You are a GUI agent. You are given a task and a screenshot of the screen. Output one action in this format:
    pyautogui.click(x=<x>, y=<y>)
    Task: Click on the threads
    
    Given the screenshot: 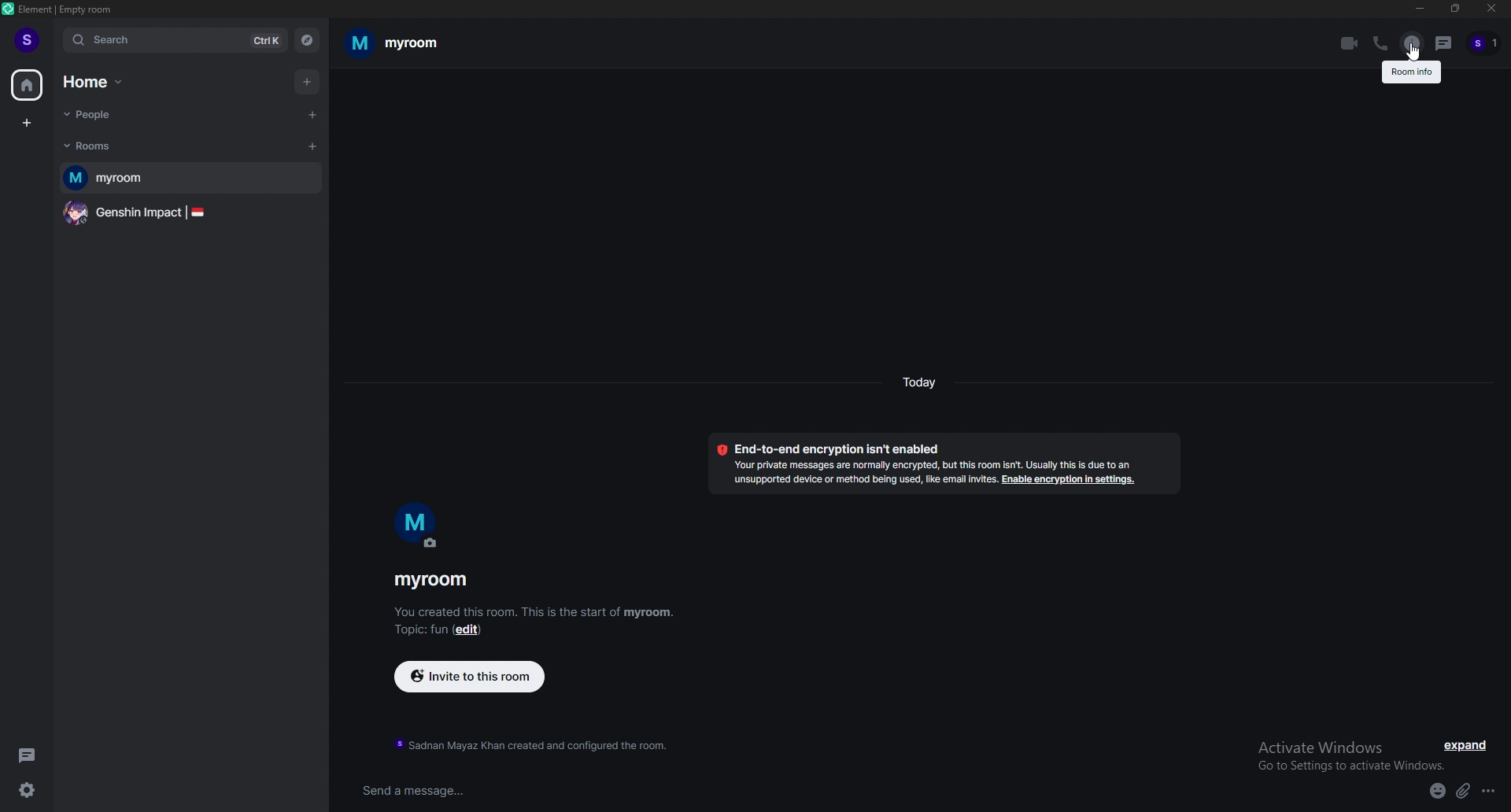 What is the action you would take?
    pyautogui.click(x=1445, y=42)
    